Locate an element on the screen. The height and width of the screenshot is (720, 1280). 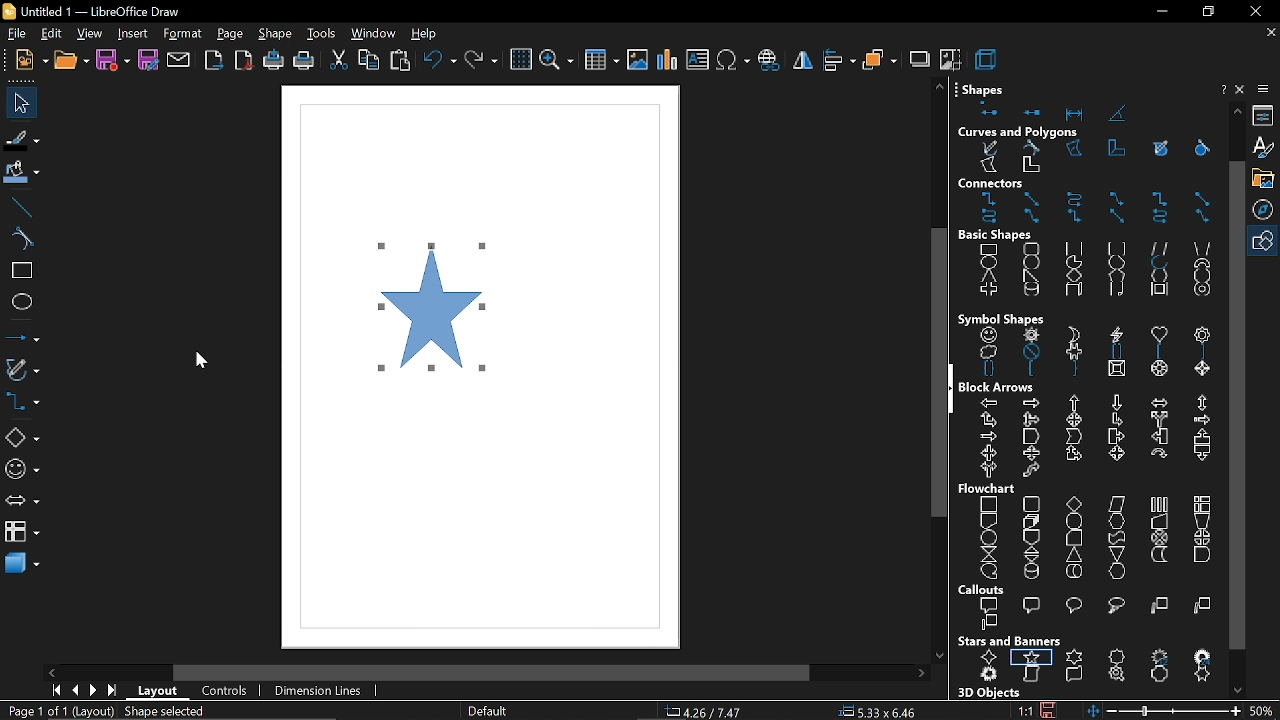
Cursor is located at coordinates (202, 356).